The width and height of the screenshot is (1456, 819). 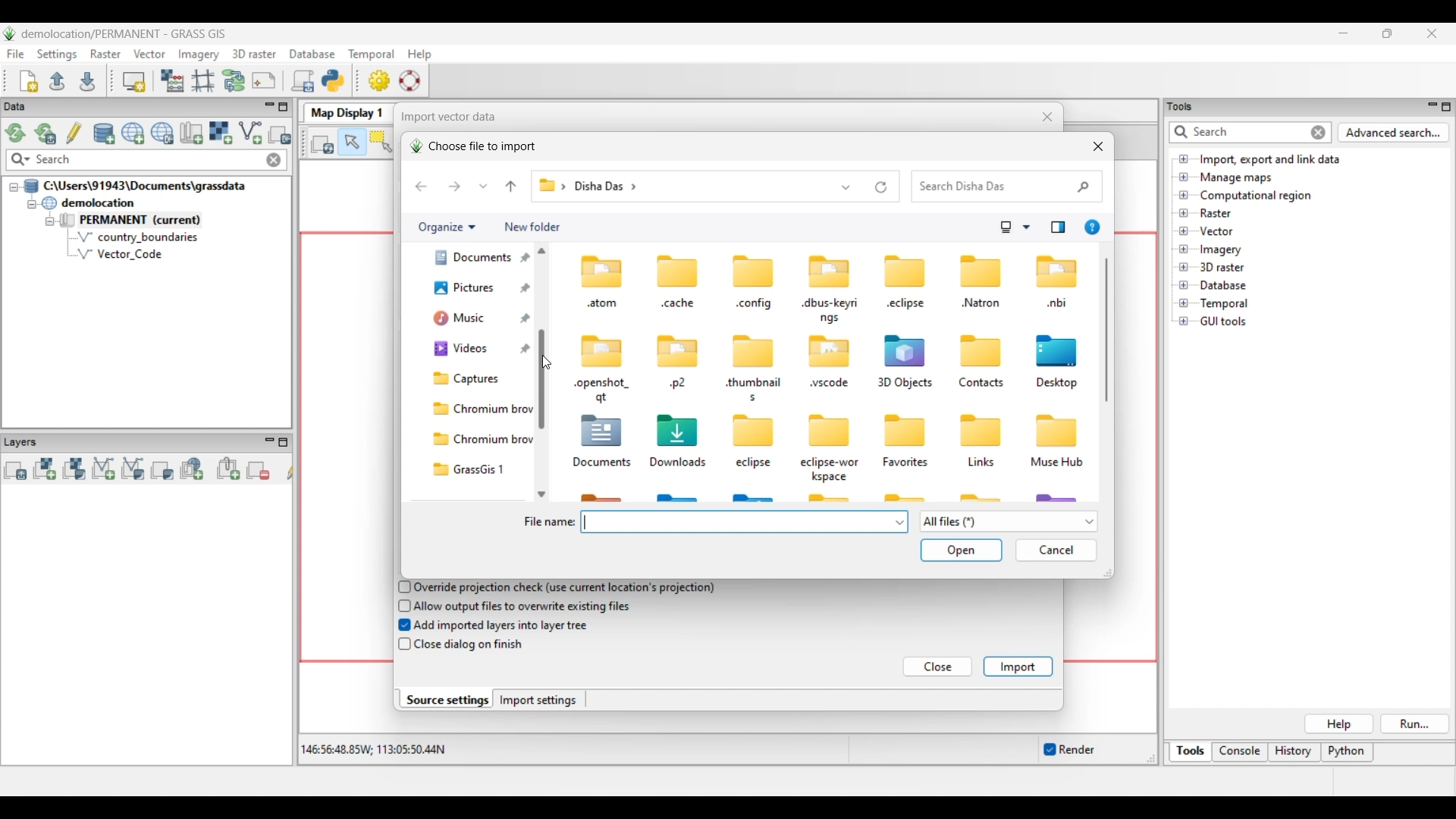 What do you see at coordinates (57, 55) in the screenshot?
I see `Settings menu` at bounding box center [57, 55].